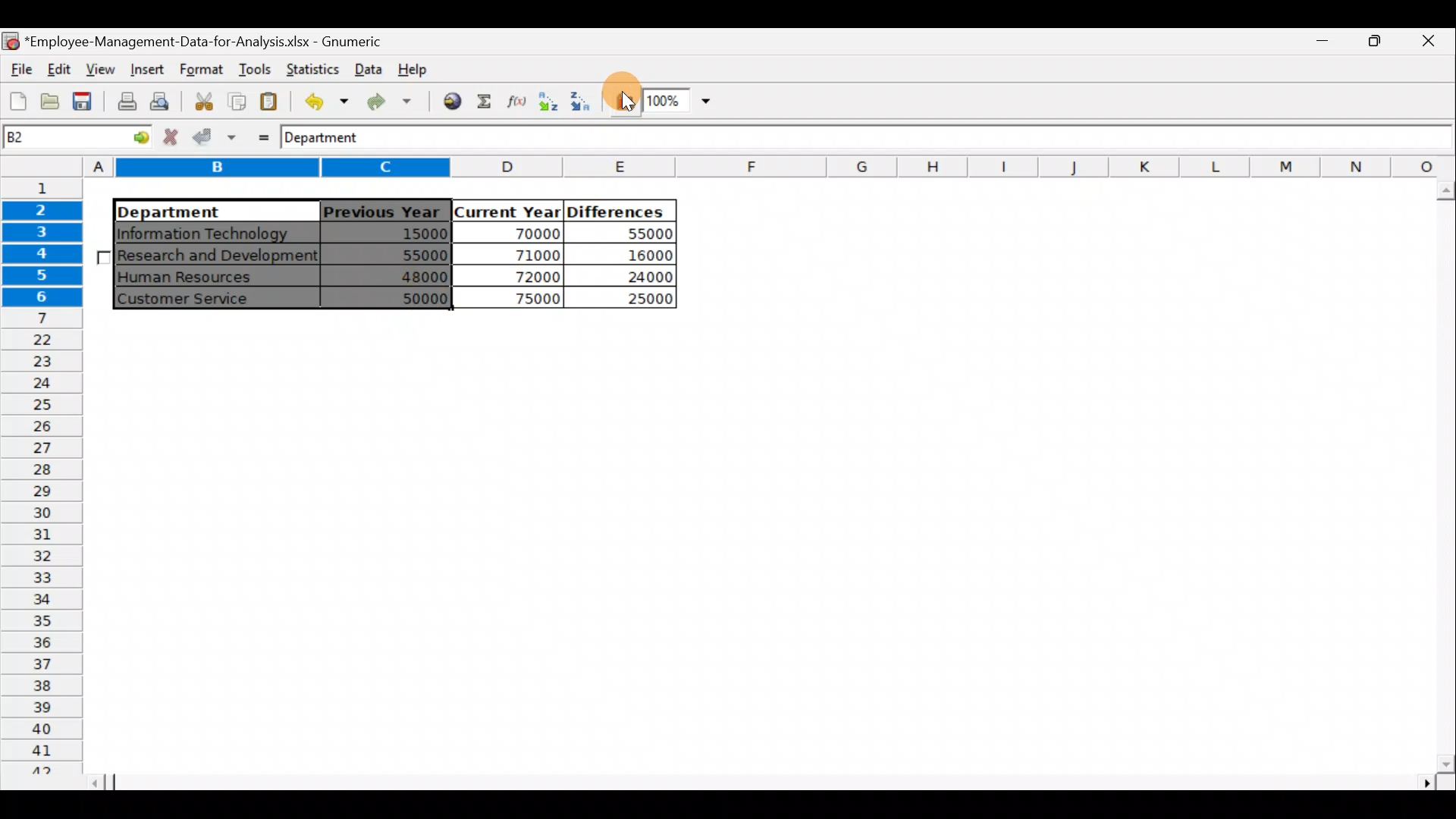 The image size is (1456, 819). What do you see at coordinates (525, 276) in the screenshot?
I see `72000` at bounding box center [525, 276].